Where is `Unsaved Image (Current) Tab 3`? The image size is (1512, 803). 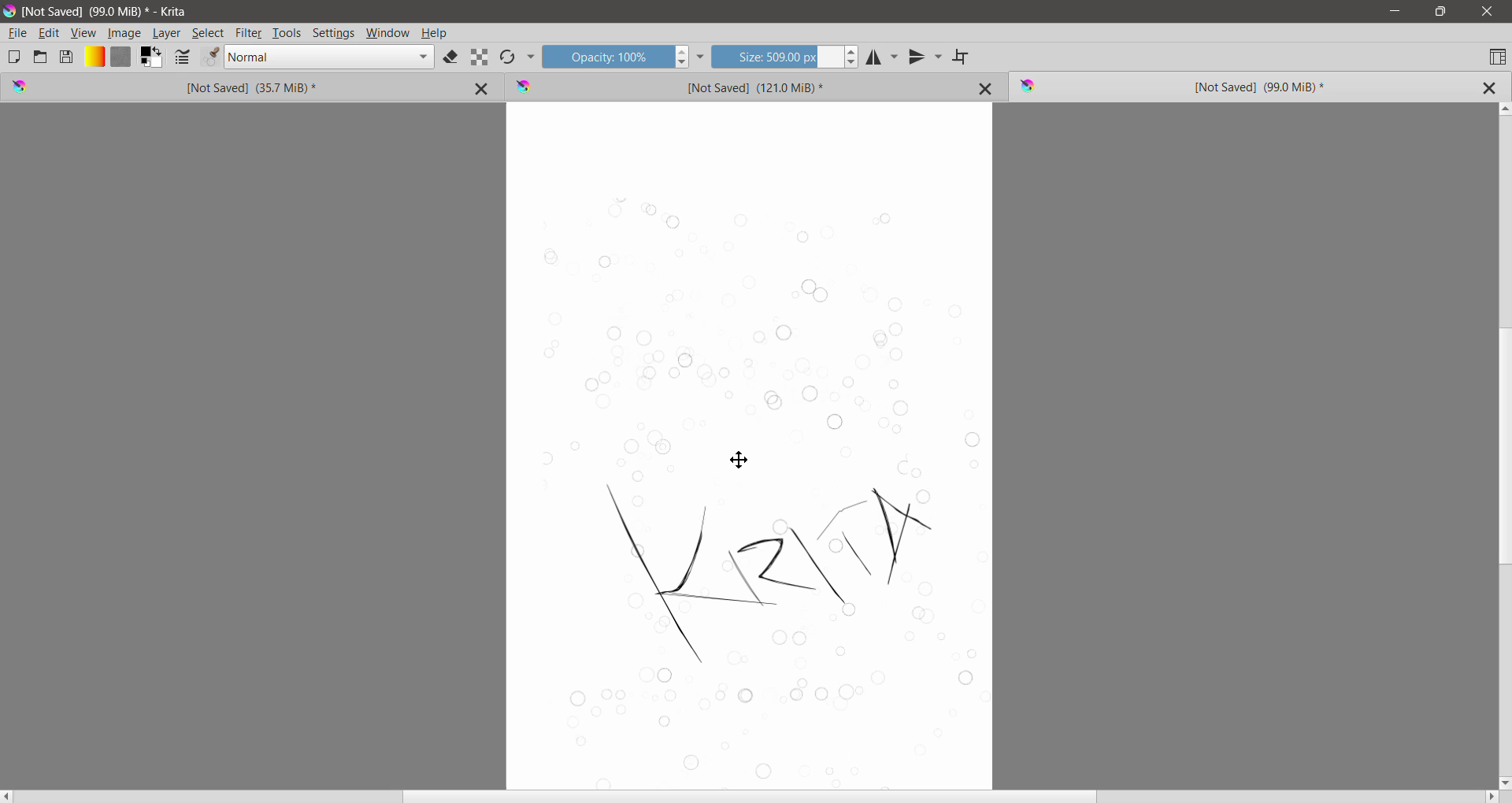
Unsaved Image (Current) Tab 3 is located at coordinates (1221, 87).